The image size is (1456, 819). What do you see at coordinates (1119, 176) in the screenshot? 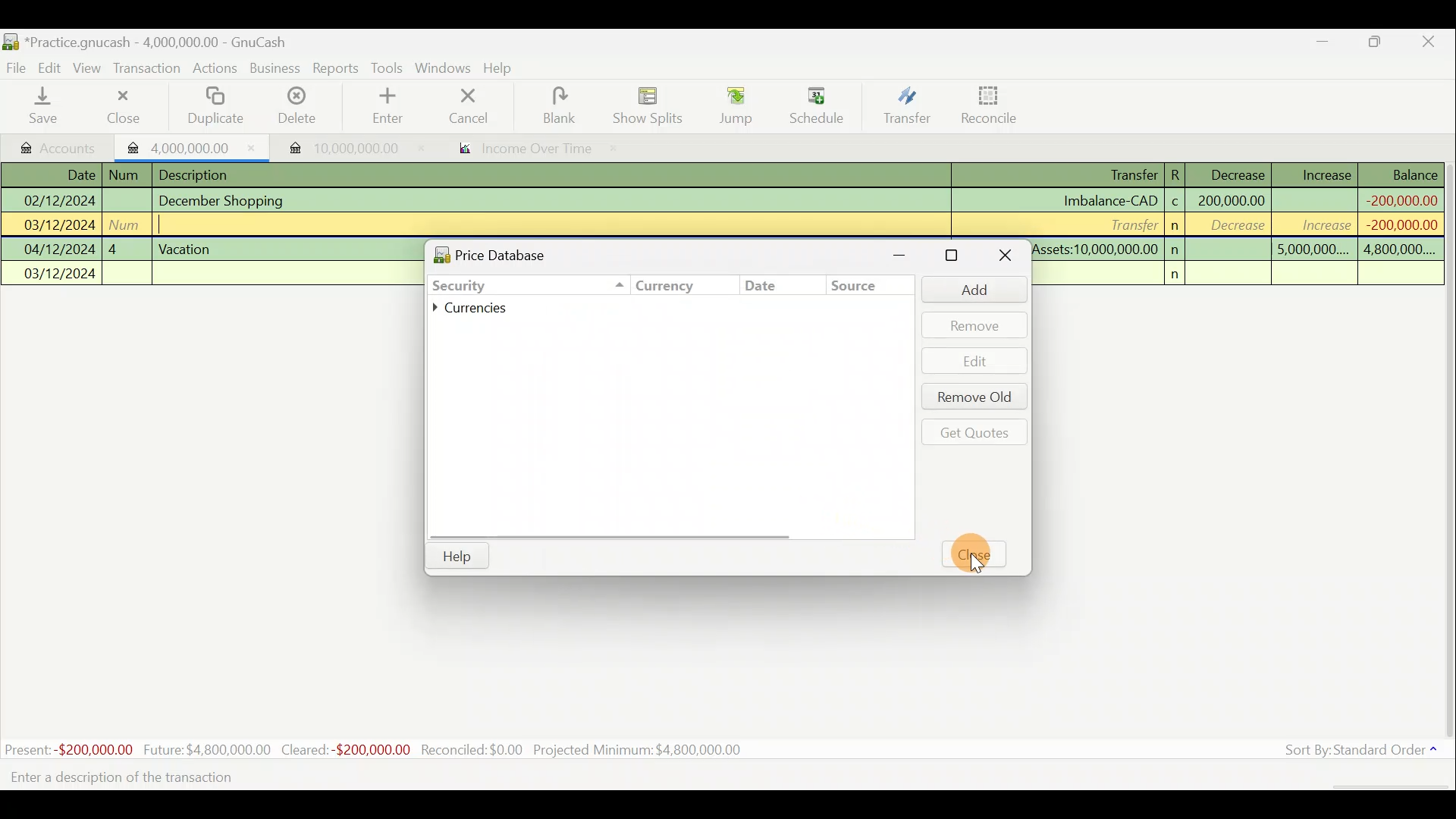
I see `Transfer` at bounding box center [1119, 176].